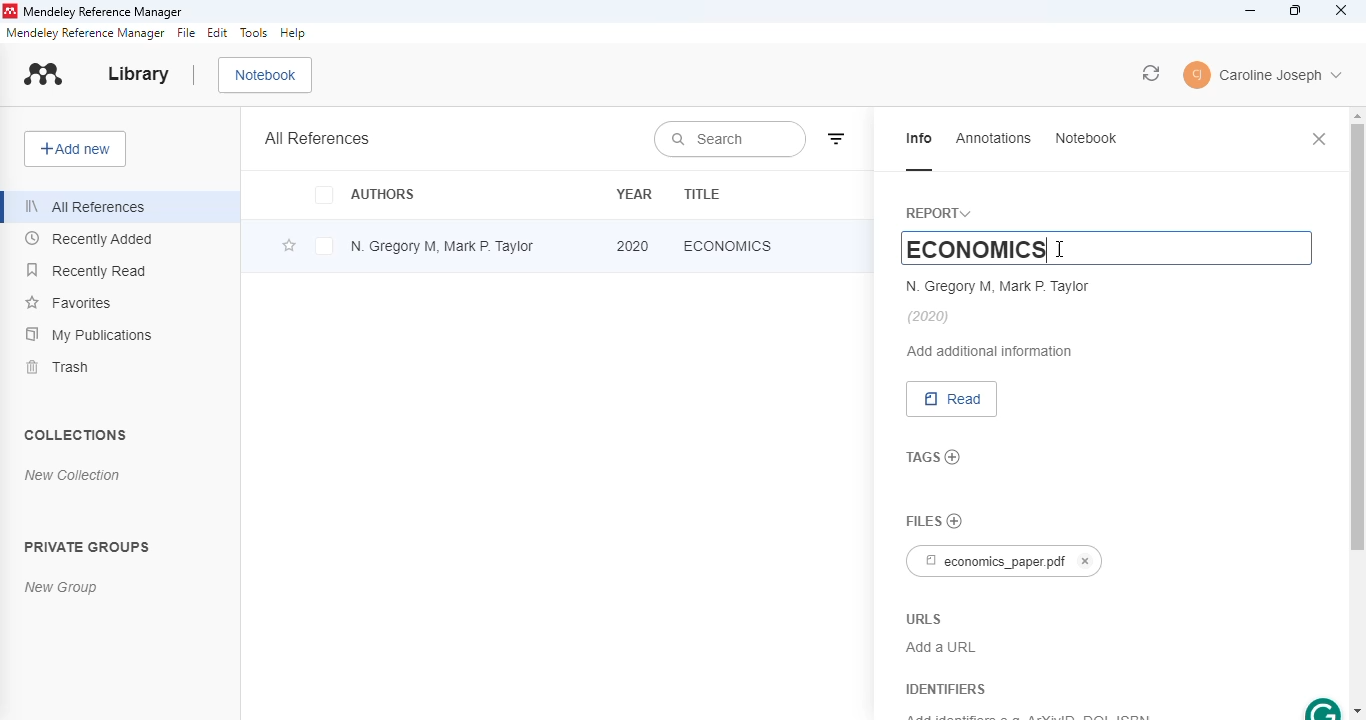 This screenshot has height=720, width=1366. I want to click on help, so click(293, 33).